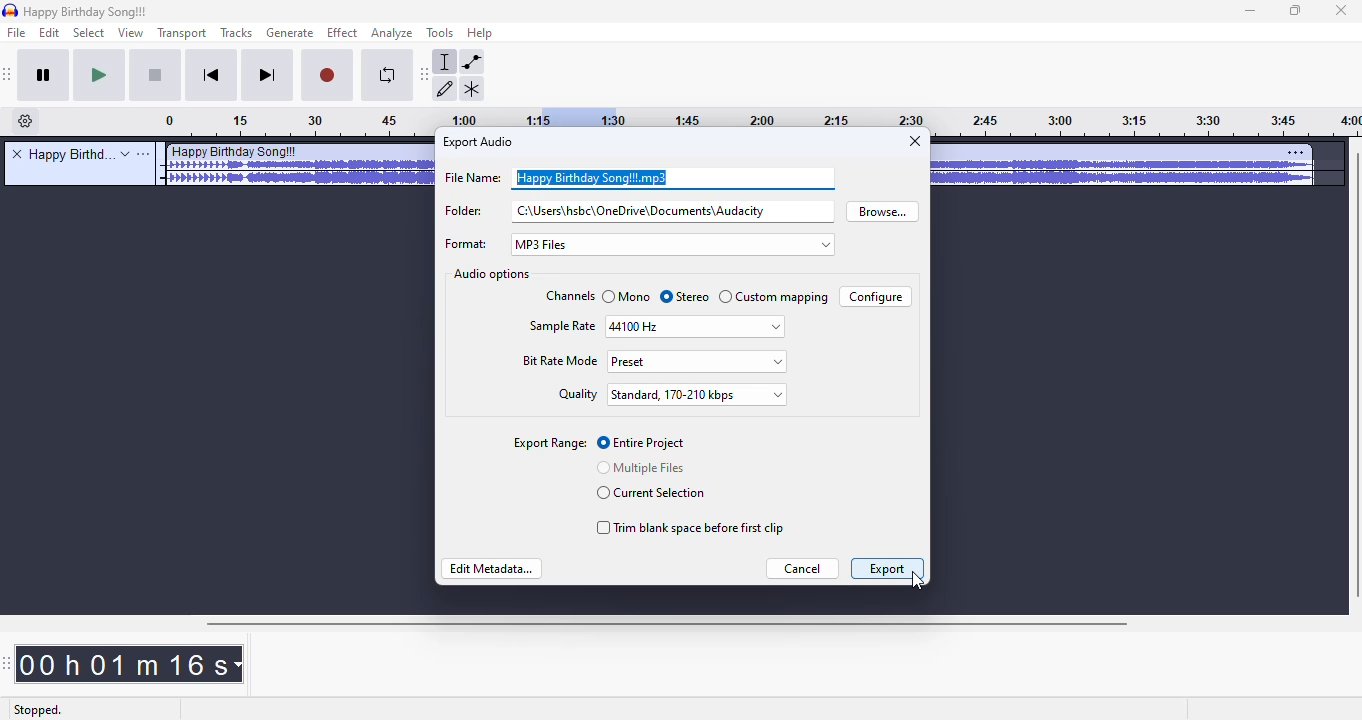 The height and width of the screenshot is (720, 1362). What do you see at coordinates (298, 165) in the screenshot?
I see `audio track` at bounding box center [298, 165].